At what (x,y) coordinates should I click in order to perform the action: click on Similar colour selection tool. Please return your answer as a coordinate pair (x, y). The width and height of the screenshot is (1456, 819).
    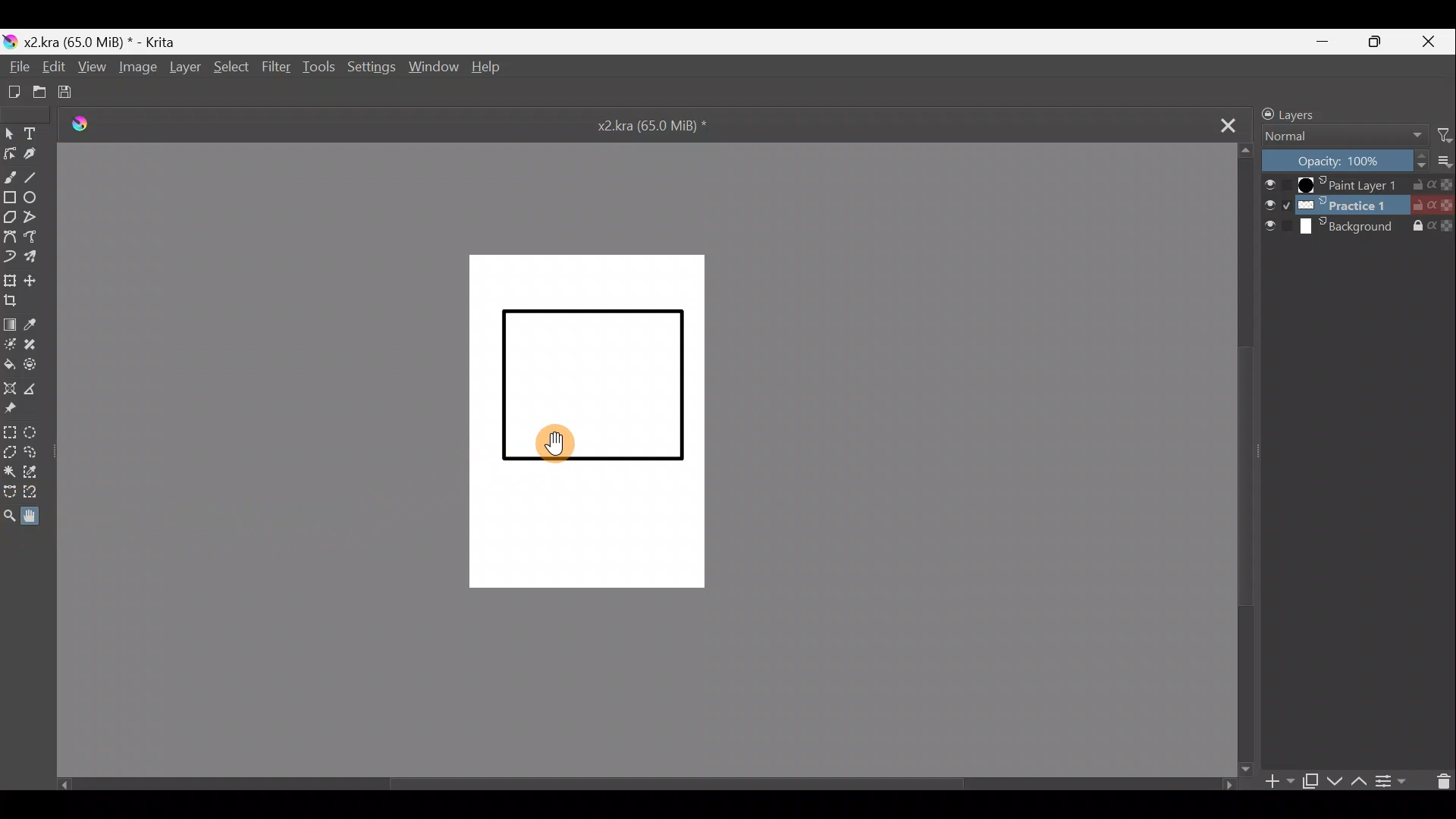
    Looking at the image, I should click on (34, 475).